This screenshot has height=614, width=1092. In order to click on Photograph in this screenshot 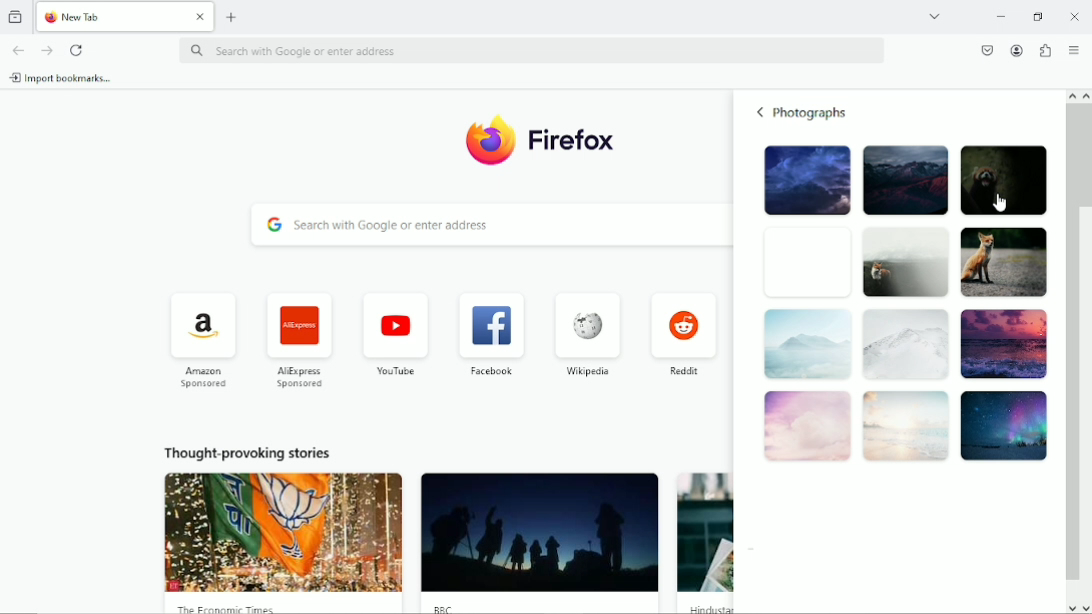, I will do `click(904, 346)`.